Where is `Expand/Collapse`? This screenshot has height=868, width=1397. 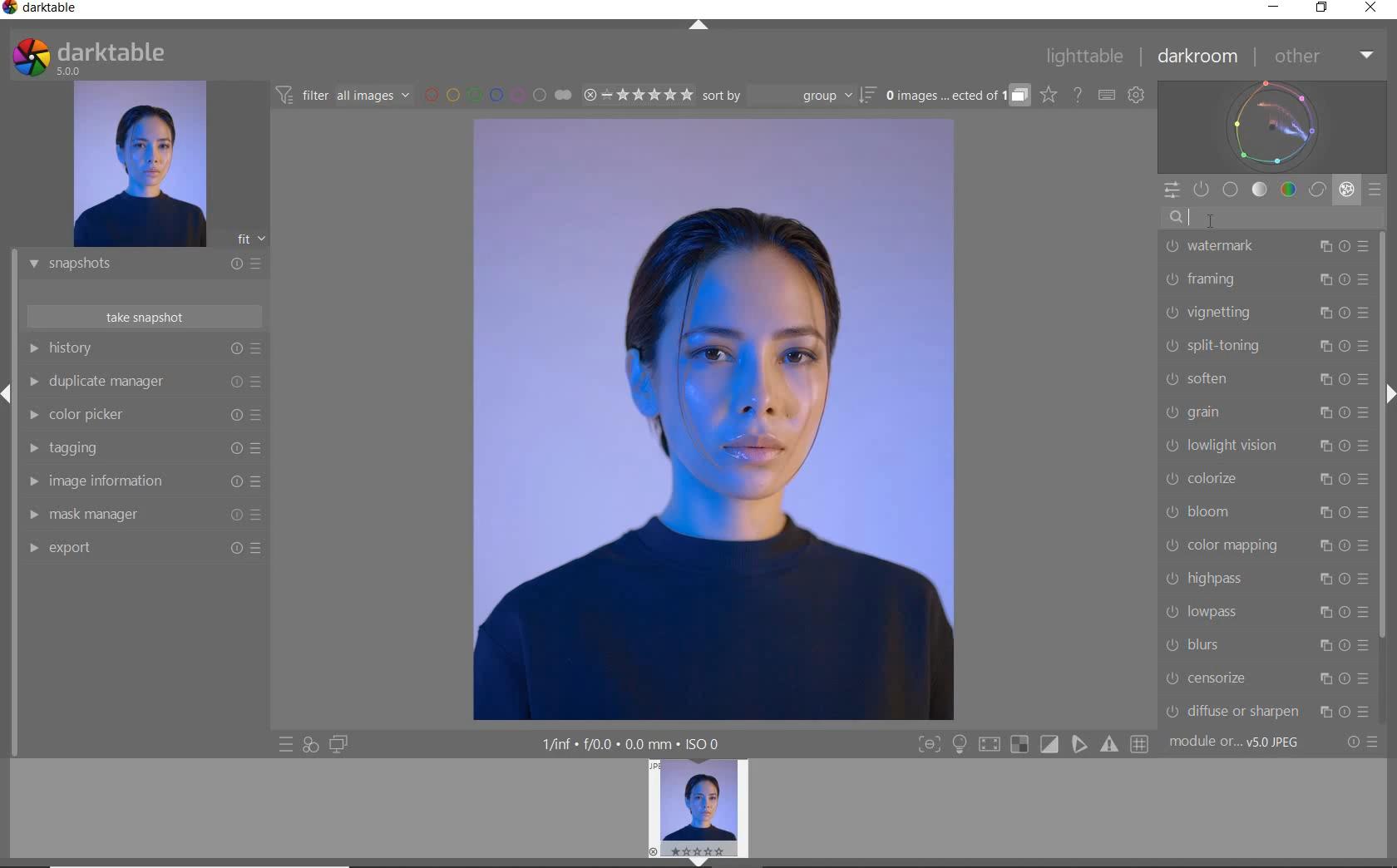
Expand/Collapse is located at coordinates (1388, 392).